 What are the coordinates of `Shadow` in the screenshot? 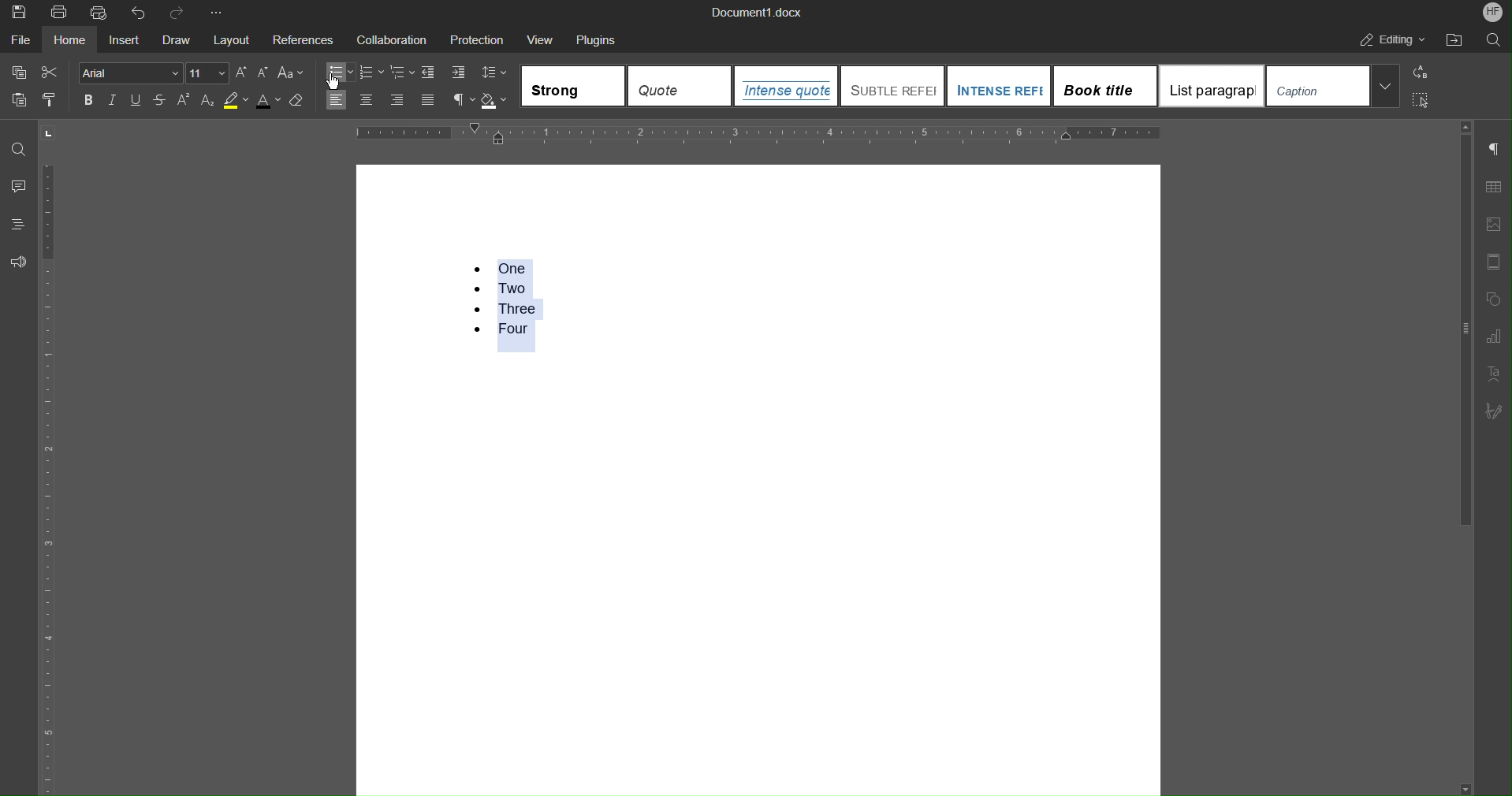 It's located at (497, 102).